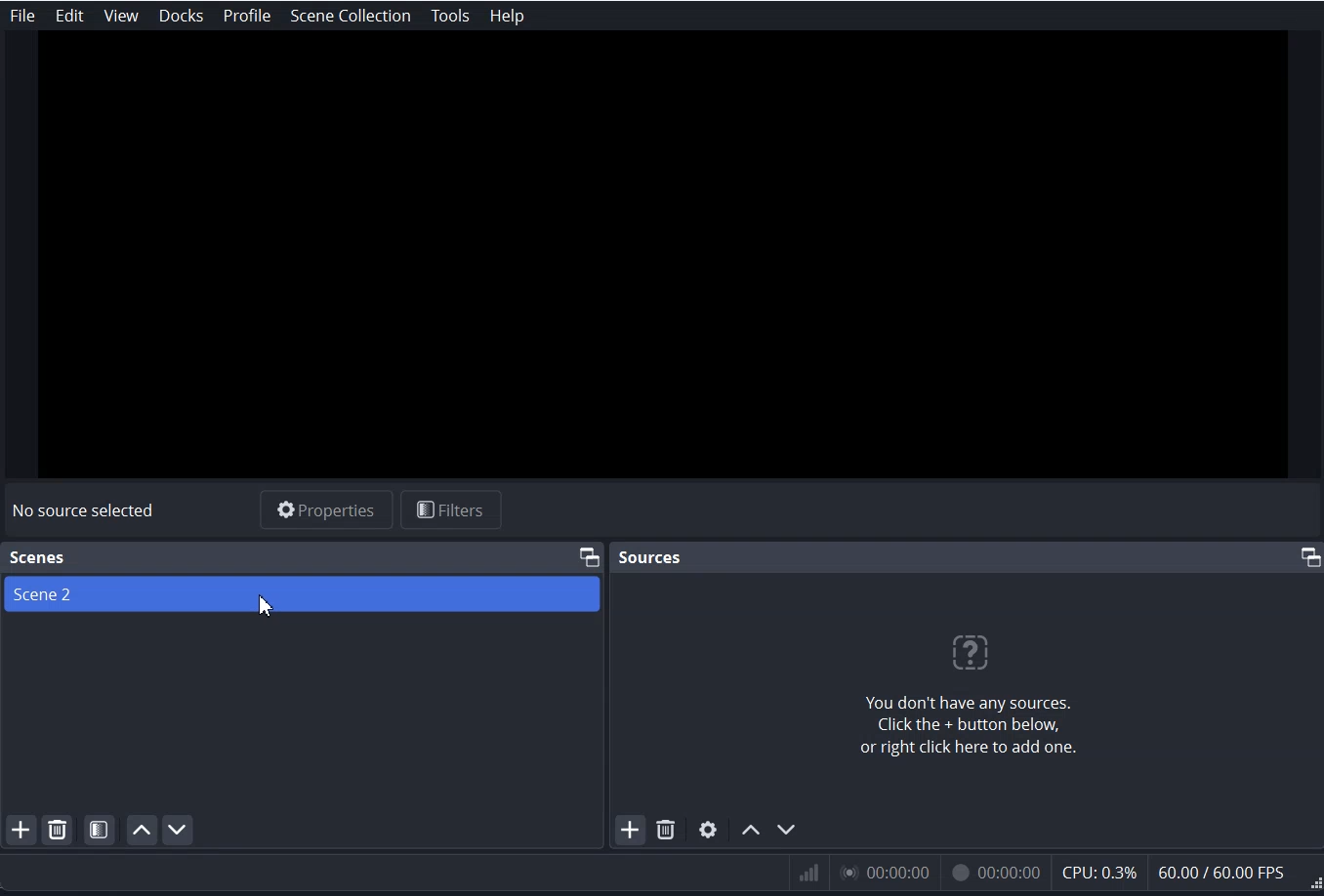 This screenshot has height=896, width=1324. Describe the element at coordinates (971, 694) in the screenshot. I see `Text about no sources and how to add a new source` at that location.